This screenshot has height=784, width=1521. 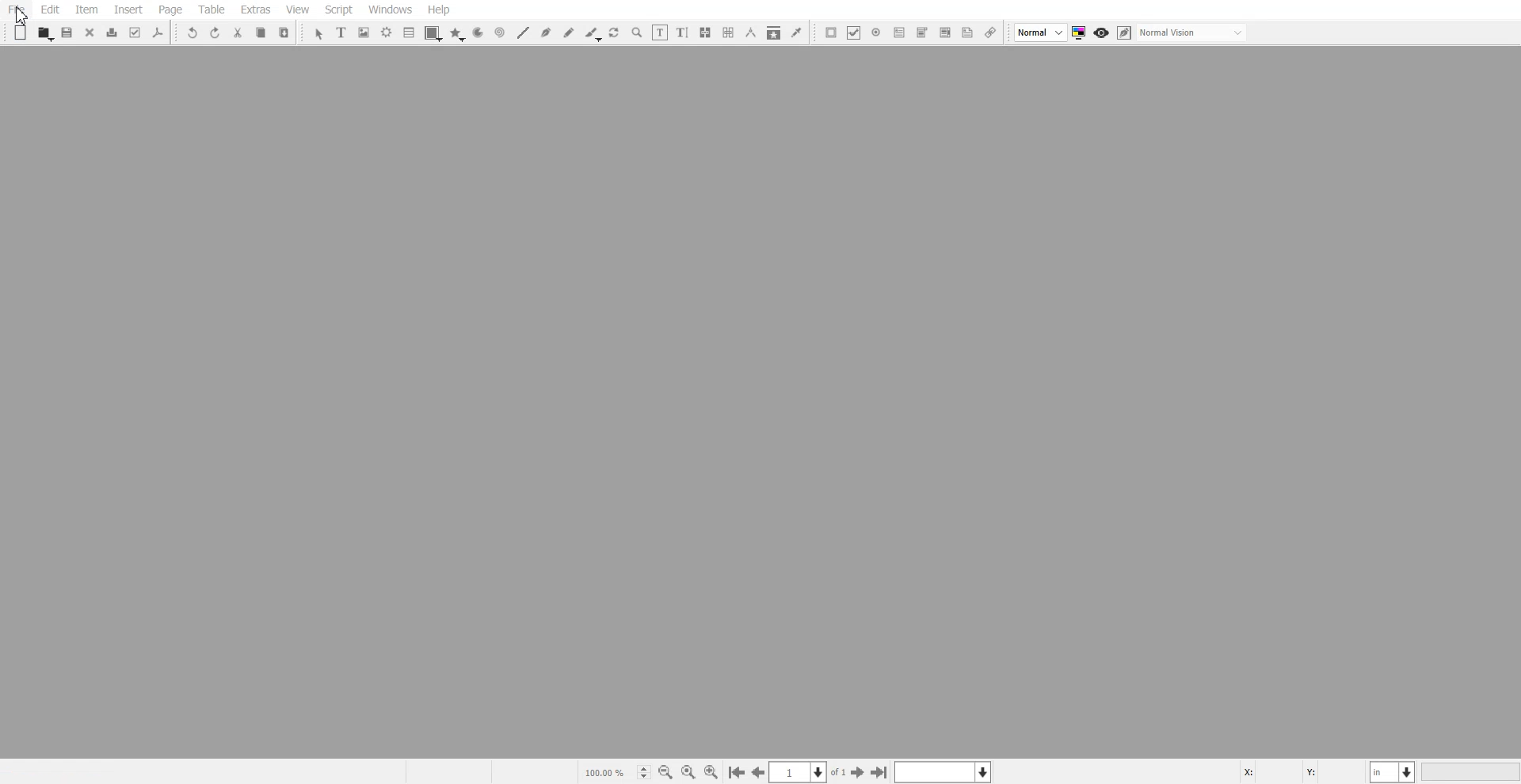 I want to click on Edit contents of frame, so click(x=660, y=32).